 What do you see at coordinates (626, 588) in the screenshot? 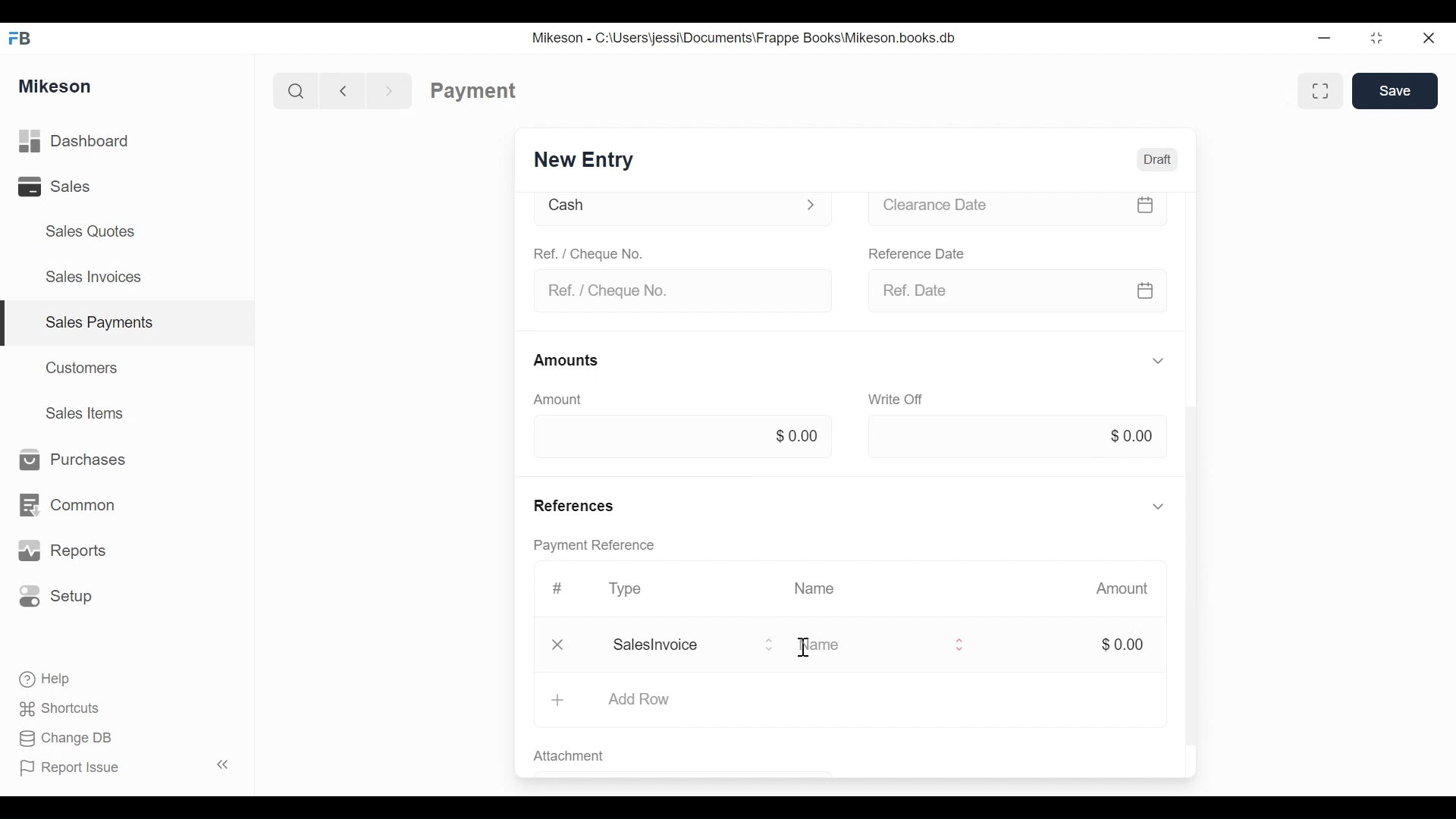
I see `Type` at bounding box center [626, 588].